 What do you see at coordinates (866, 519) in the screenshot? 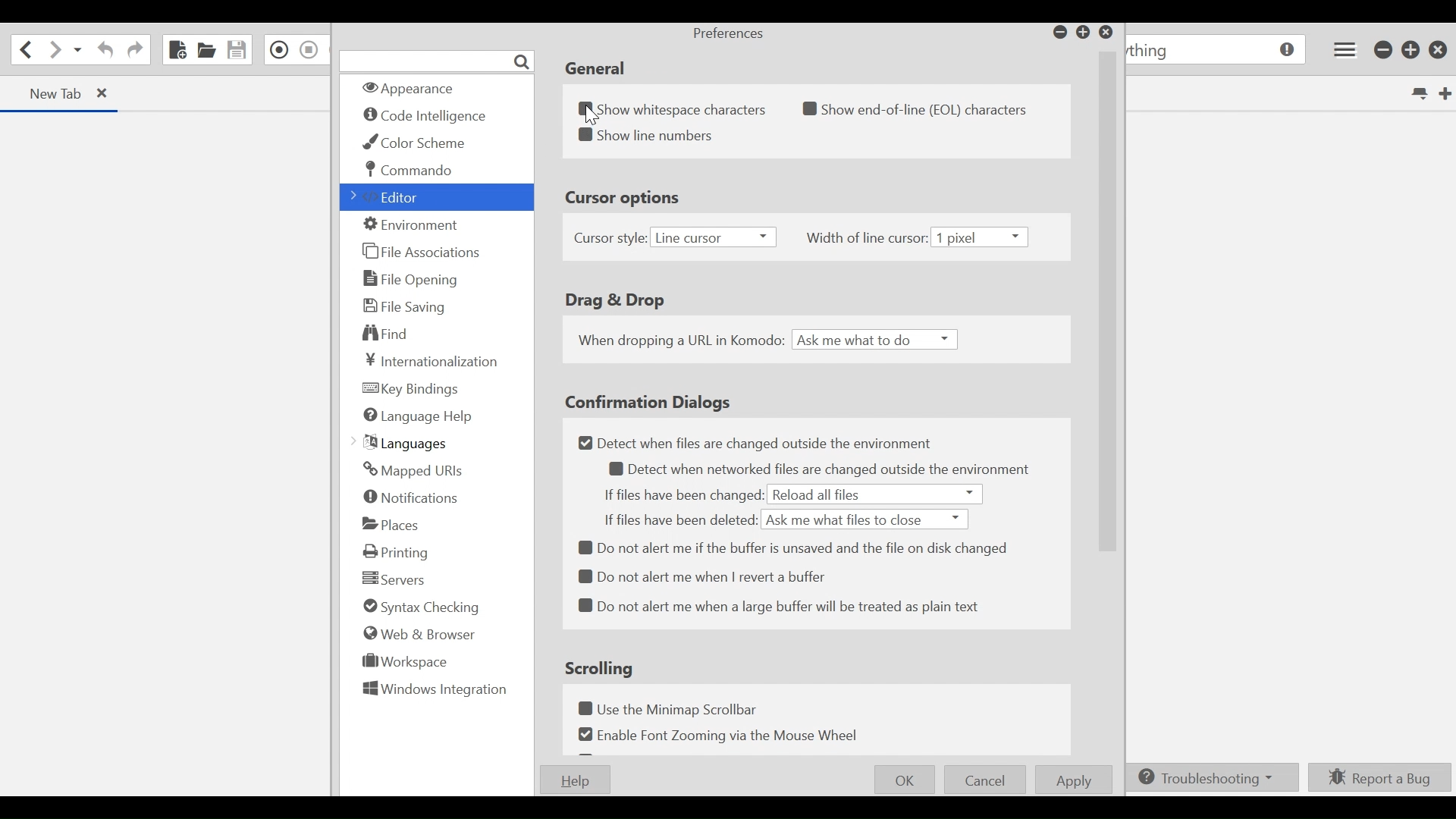
I see ` Ask me what files to close ` at bounding box center [866, 519].